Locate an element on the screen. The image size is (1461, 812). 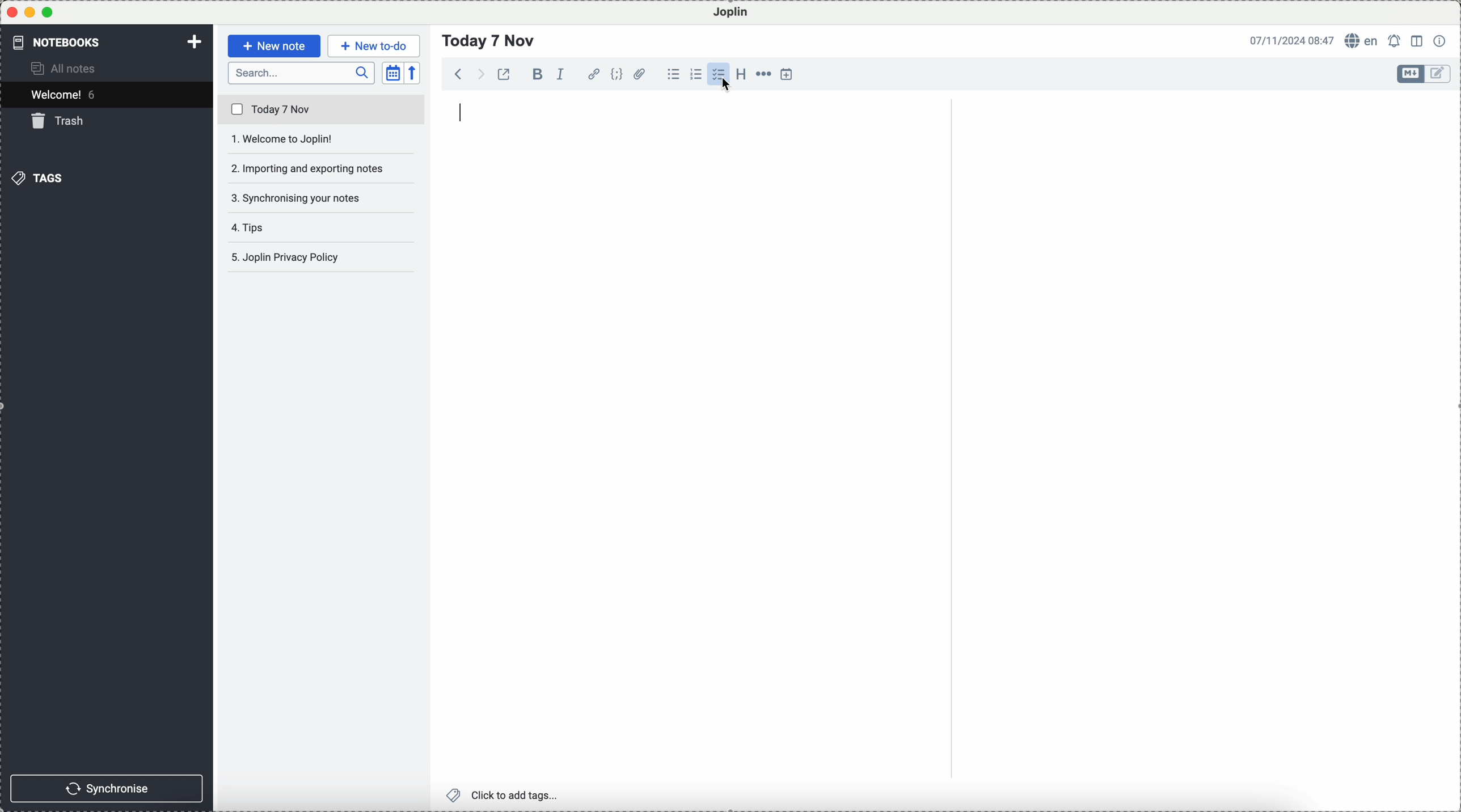
toggle editors is located at coordinates (1411, 74).